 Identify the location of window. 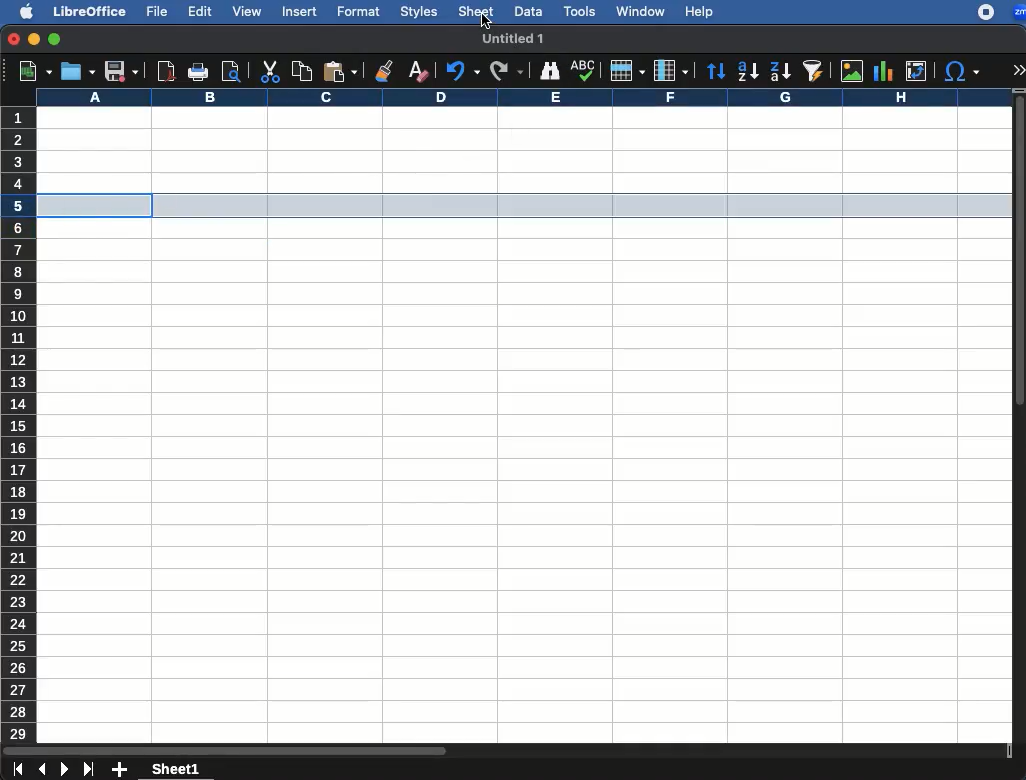
(641, 10).